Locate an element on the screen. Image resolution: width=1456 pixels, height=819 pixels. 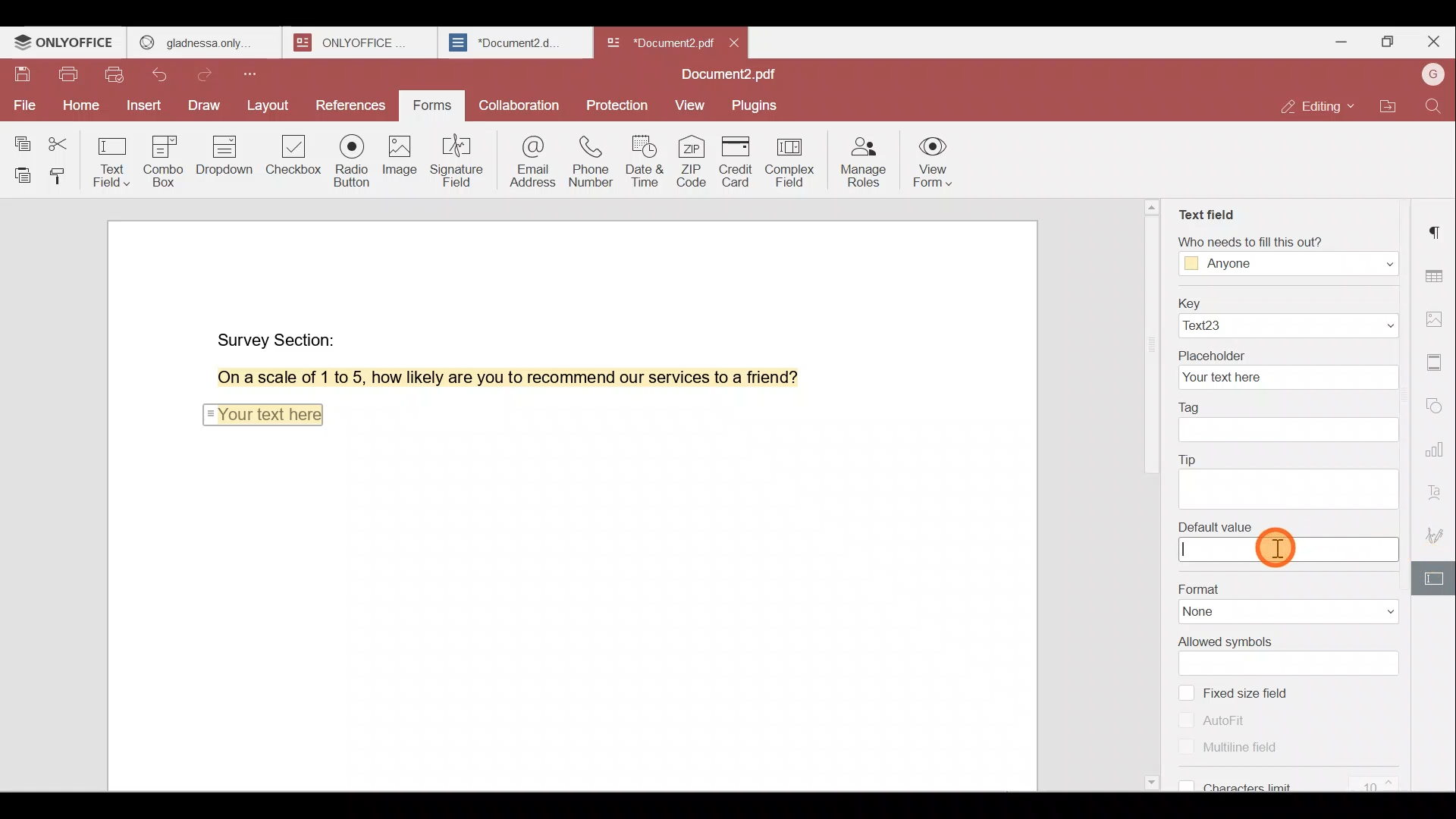
Forms is located at coordinates (434, 106).